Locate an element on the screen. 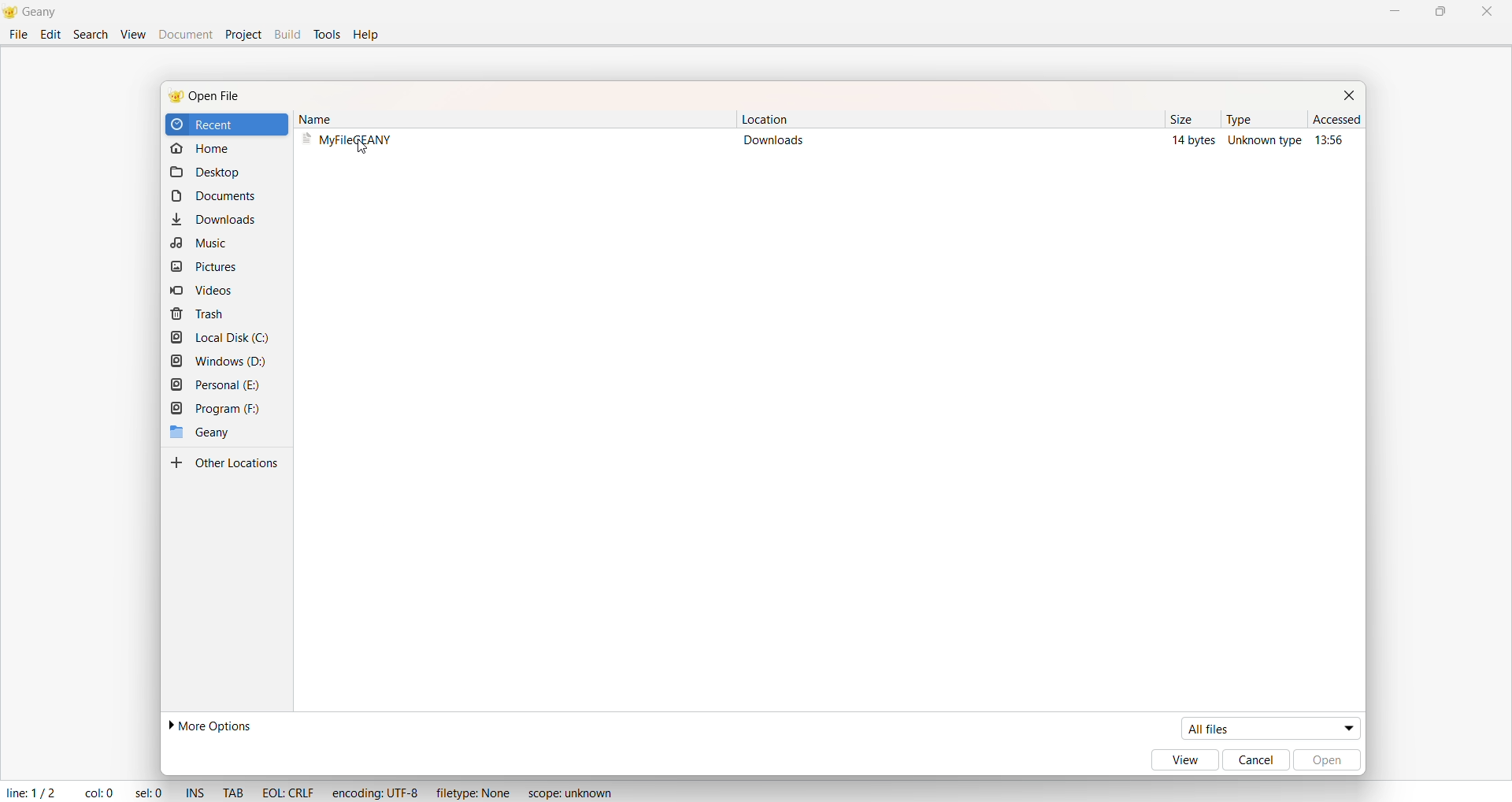 This screenshot has height=802, width=1512. unknown is located at coordinates (1264, 145).